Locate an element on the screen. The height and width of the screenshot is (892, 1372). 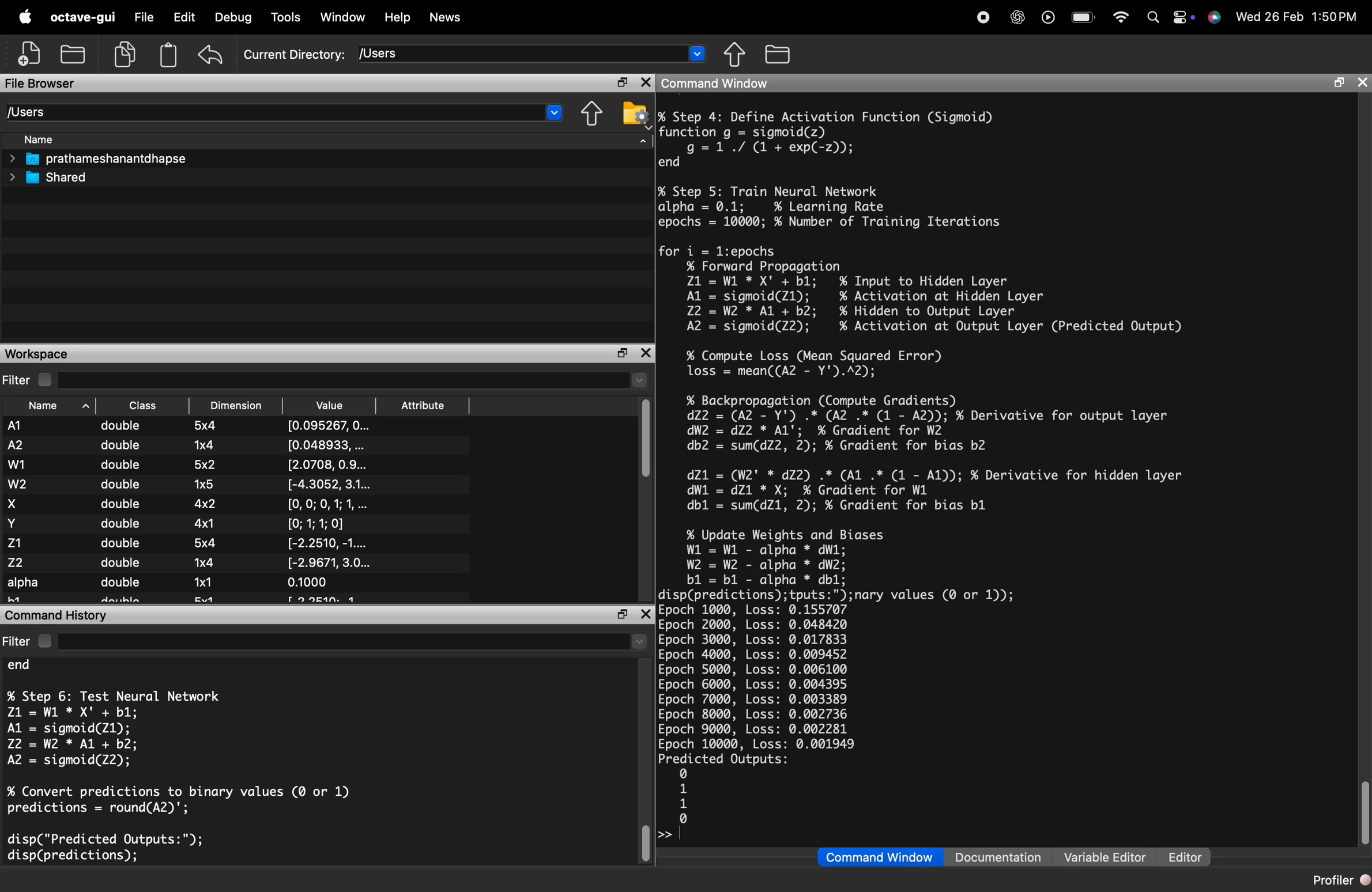
Window is located at coordinates (344, 17).